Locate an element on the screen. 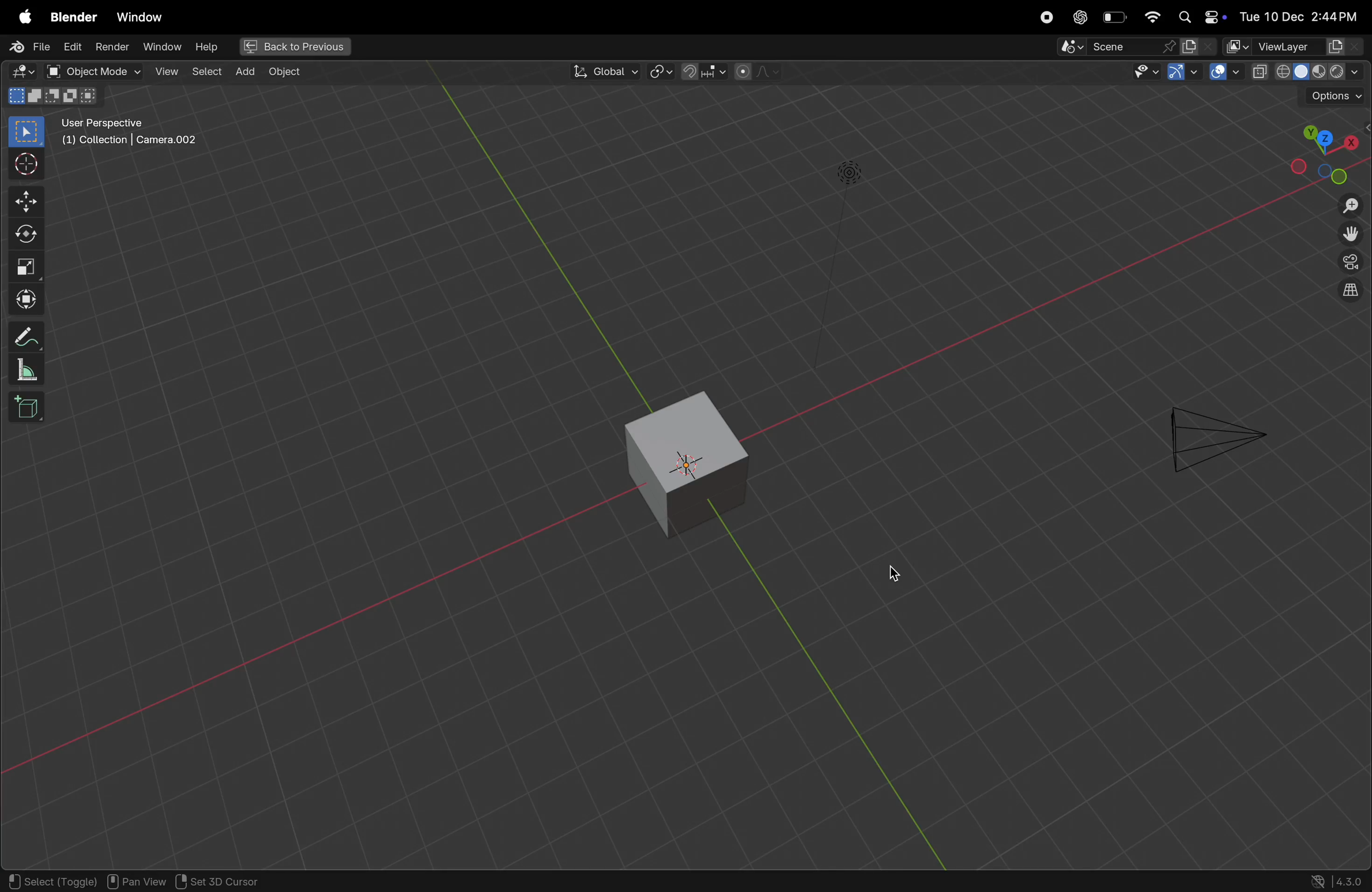 This screenshot has height=892, width=1372. zoom is located at coordinates (1347, 205).